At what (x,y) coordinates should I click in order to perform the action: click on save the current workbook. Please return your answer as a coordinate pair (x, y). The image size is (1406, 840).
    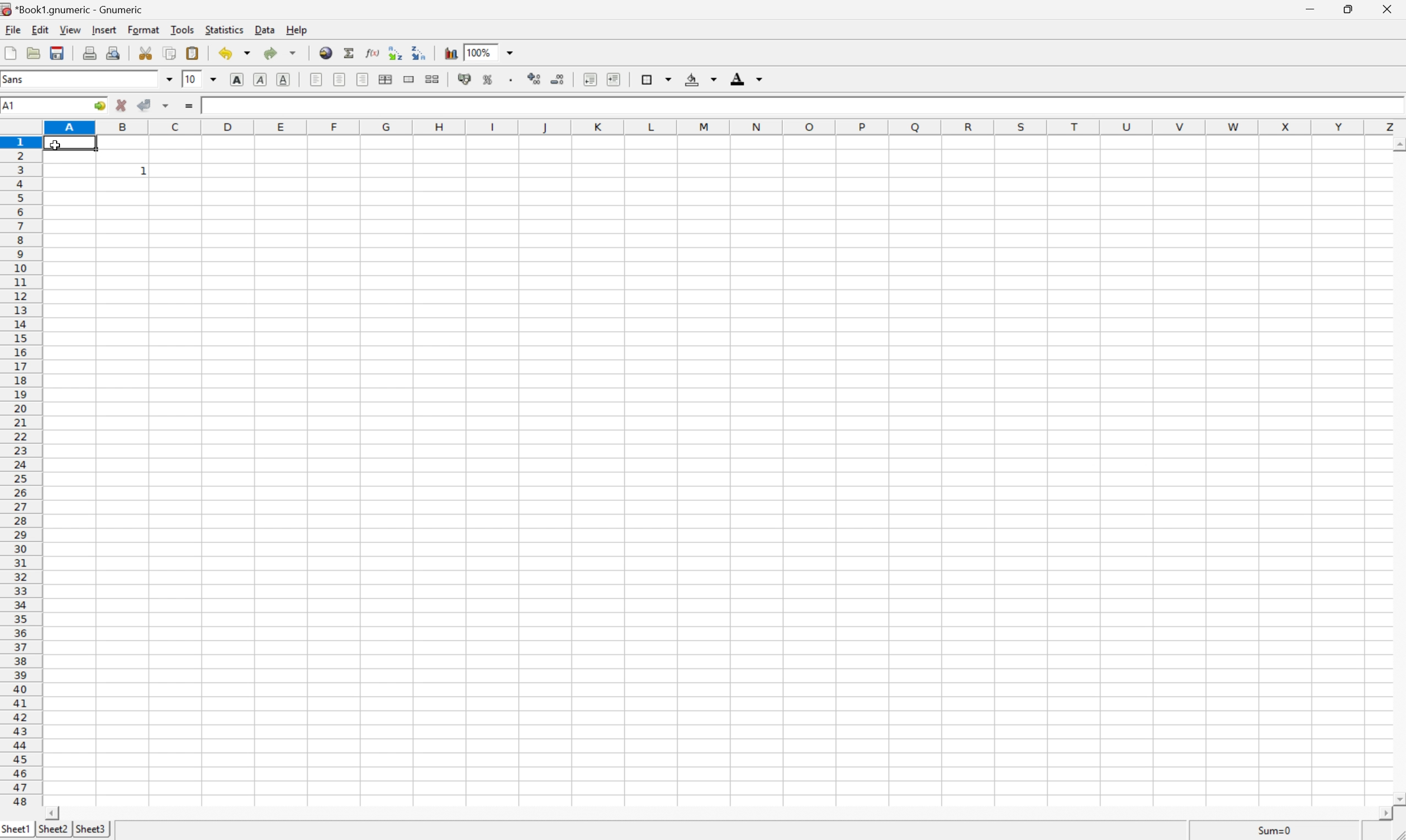
    Looking at the image, I should click on (59, 55).